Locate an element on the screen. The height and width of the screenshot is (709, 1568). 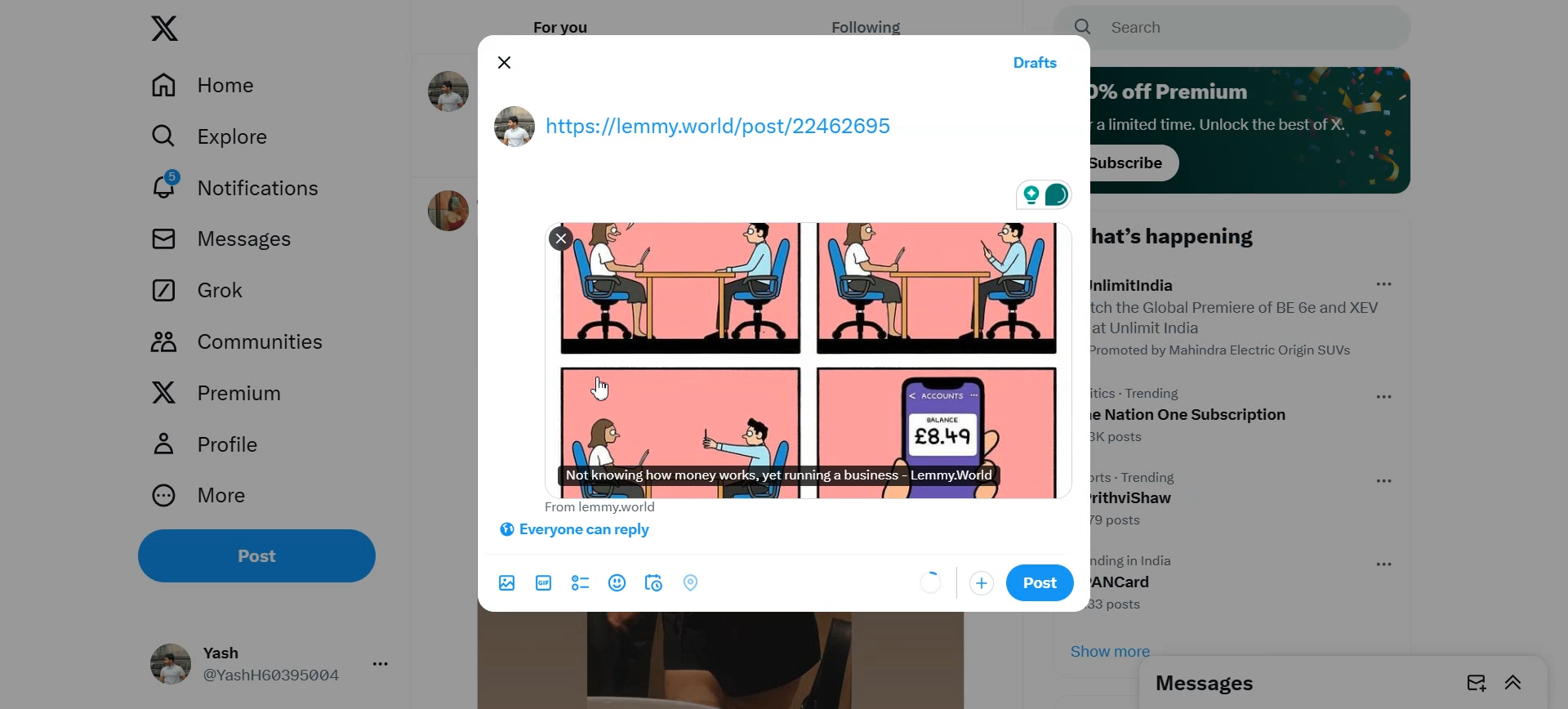
massage  box is located at coordinates (1474, 681).